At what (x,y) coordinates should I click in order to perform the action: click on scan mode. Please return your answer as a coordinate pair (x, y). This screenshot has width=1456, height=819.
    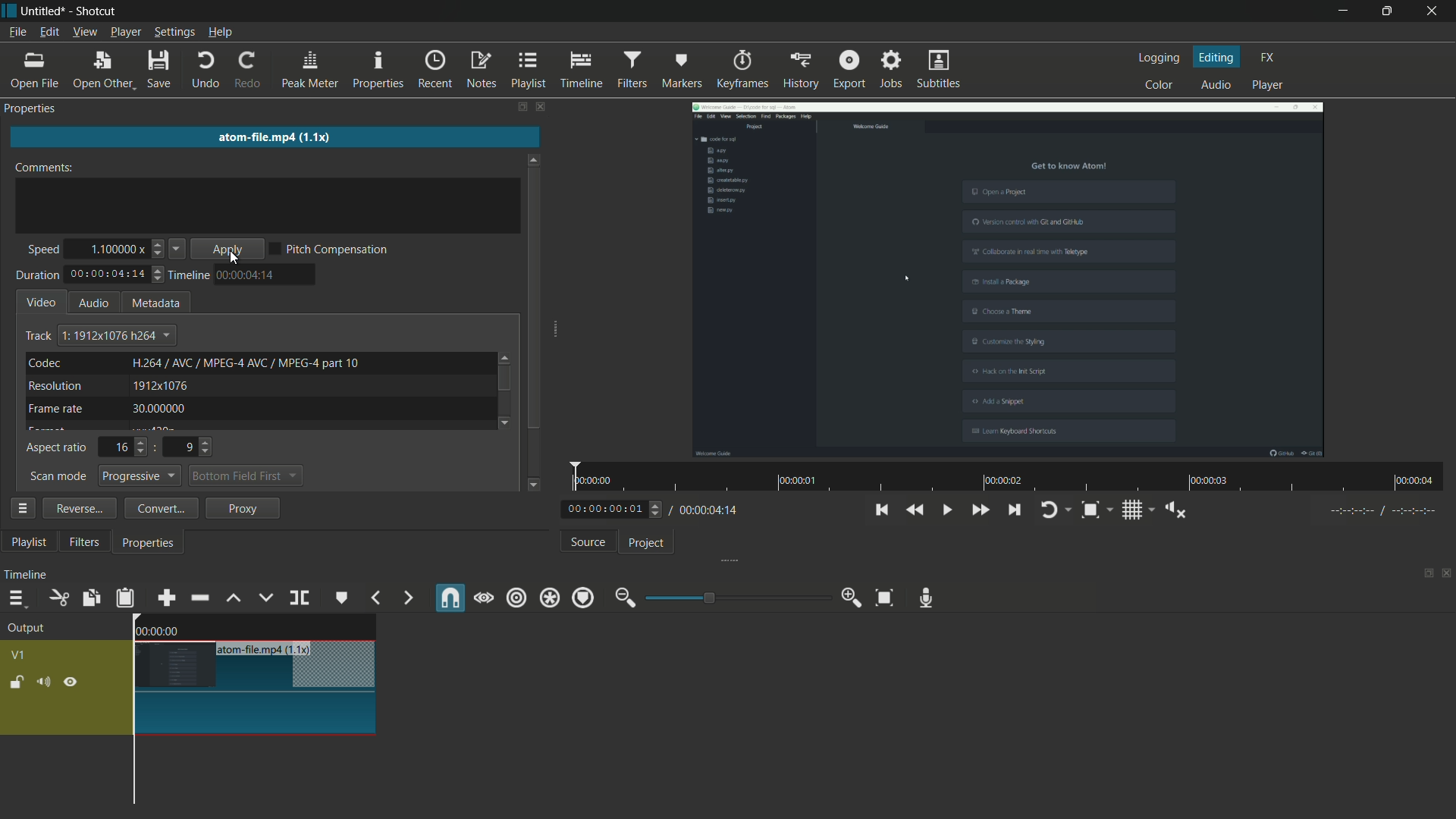
    Looking at the image, I should click on (58, 477).